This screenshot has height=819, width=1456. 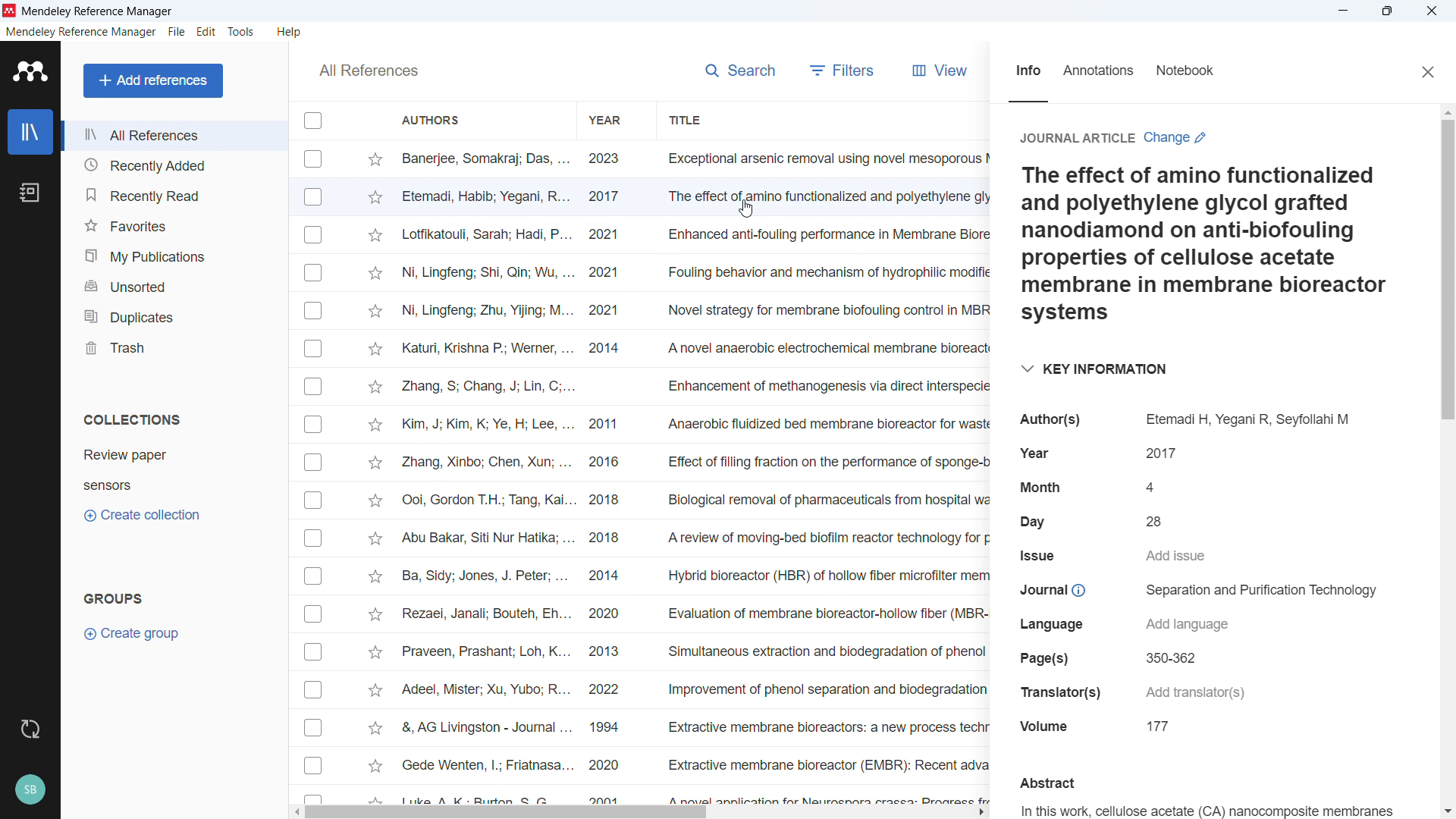 What do you see at coordinates (607, 120) in the screenshot?
I see `sort by Year of publication` at bounding box center [607, 120].